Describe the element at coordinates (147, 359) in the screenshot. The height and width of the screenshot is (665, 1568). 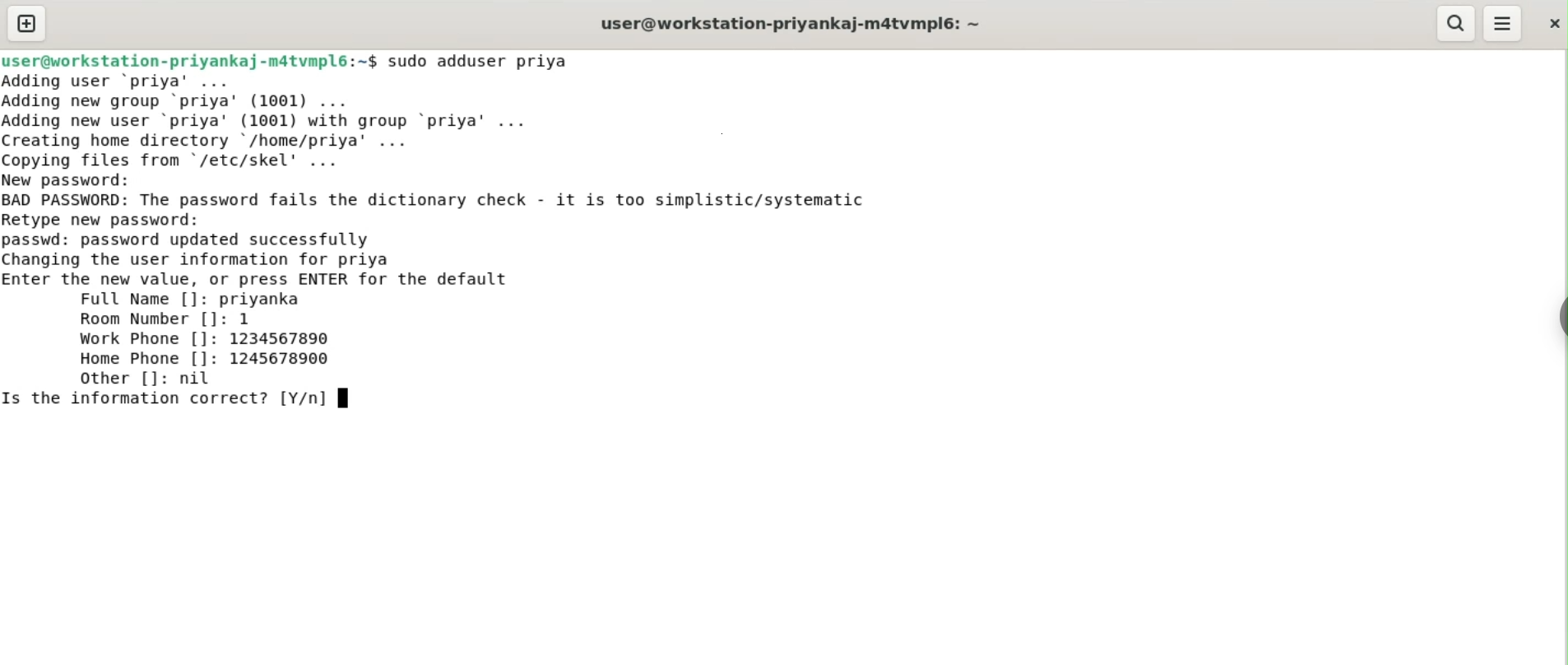
I see `home phone []:` at that location.